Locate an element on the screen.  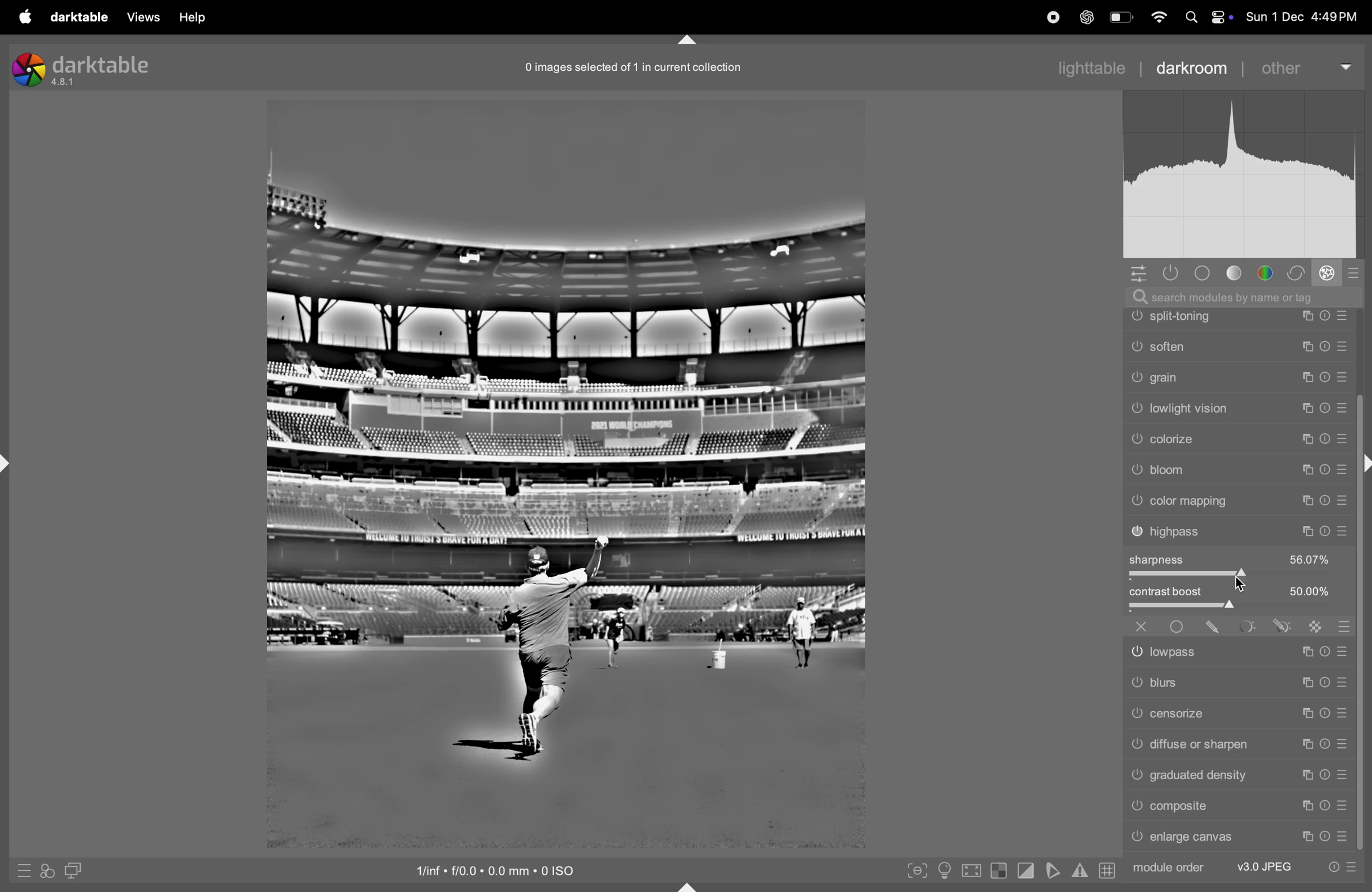
vignetting is located at coordinates (1238, 376).